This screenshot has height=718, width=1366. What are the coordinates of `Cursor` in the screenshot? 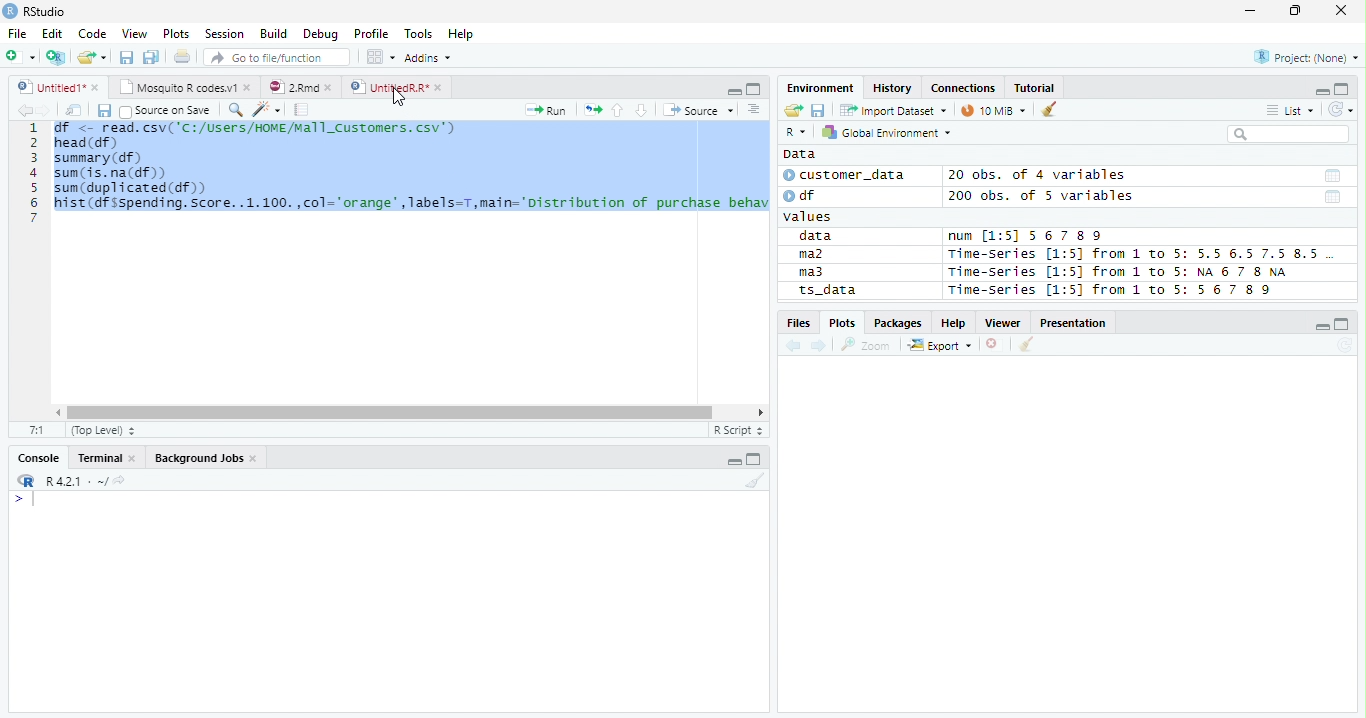 It's located at (397, 94).